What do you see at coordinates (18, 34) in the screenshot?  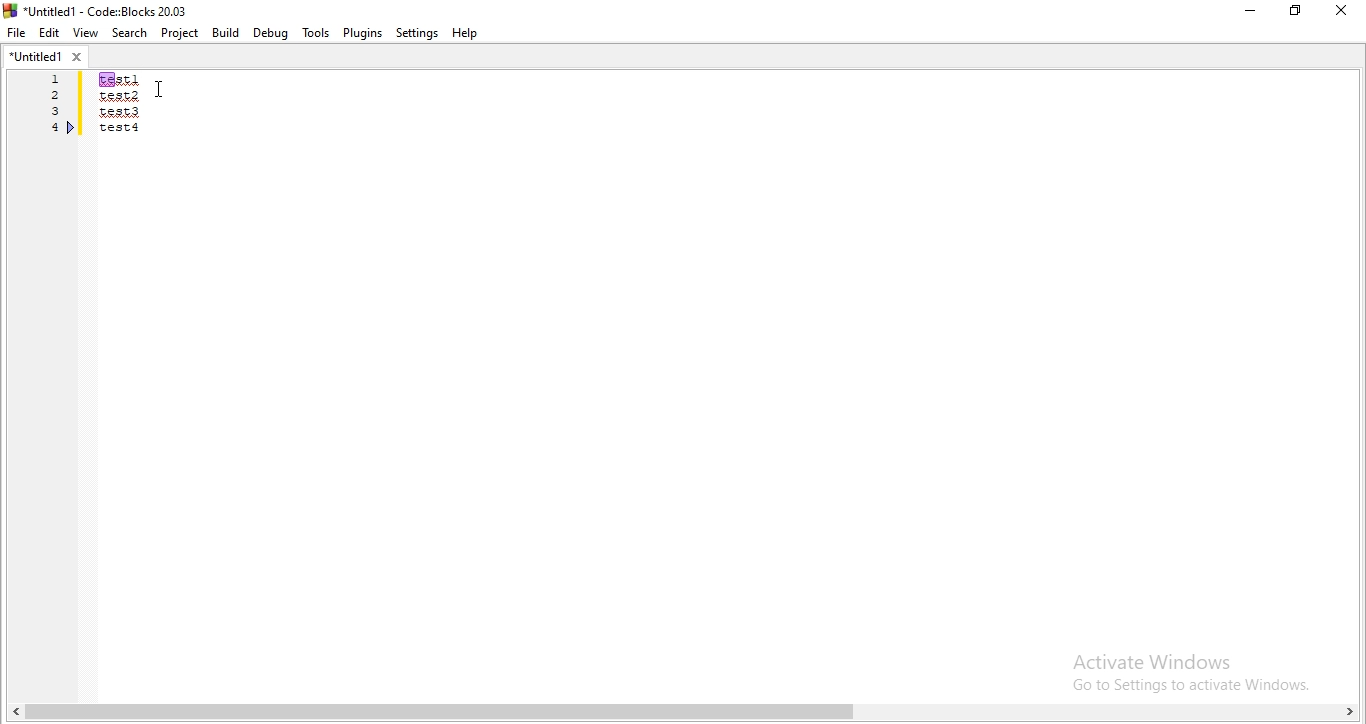 I see `File` at bounding box center [18, 34].